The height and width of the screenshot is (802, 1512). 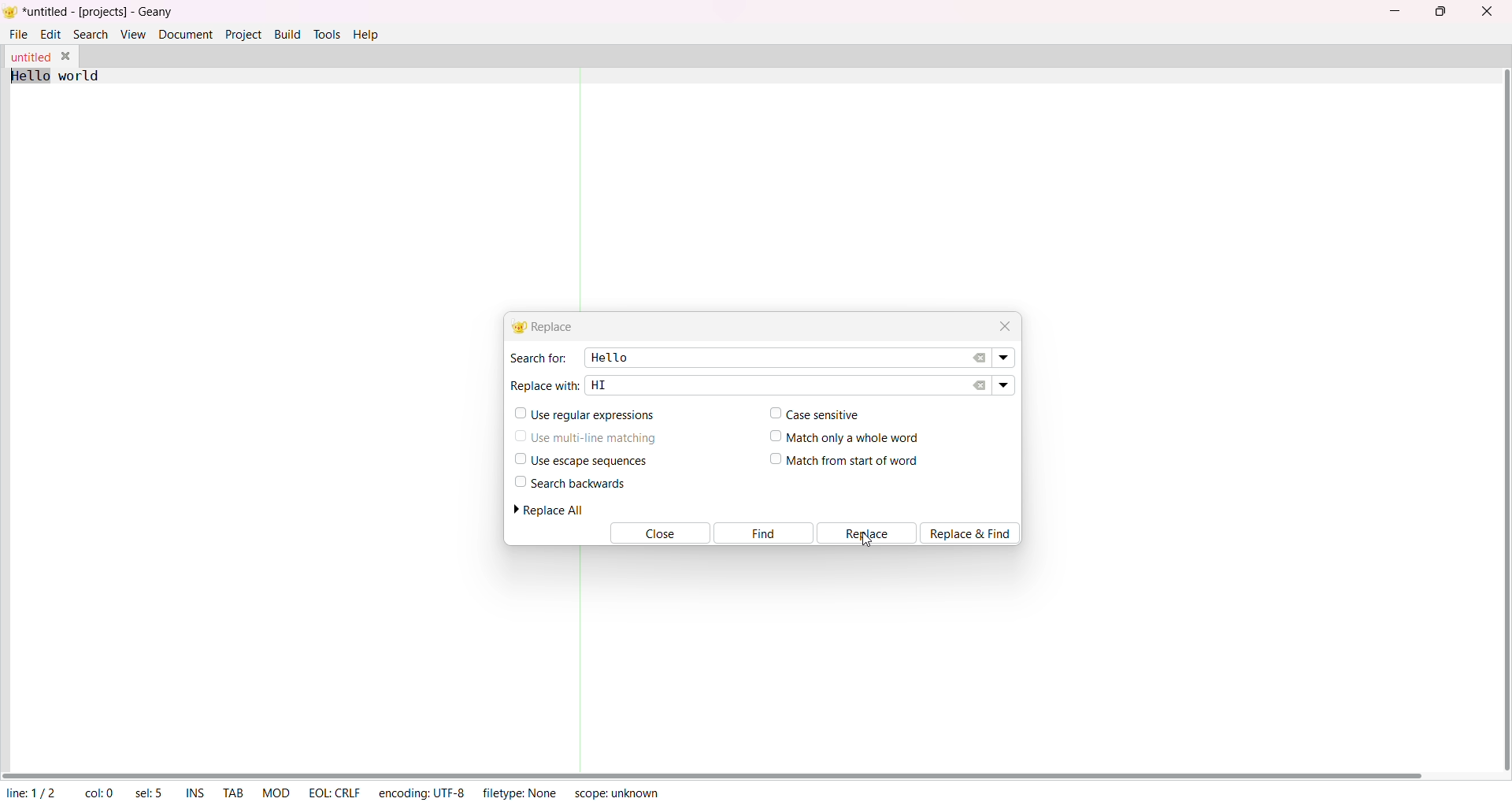 I want to click on Replace & Find, so click(x=975, y=533).